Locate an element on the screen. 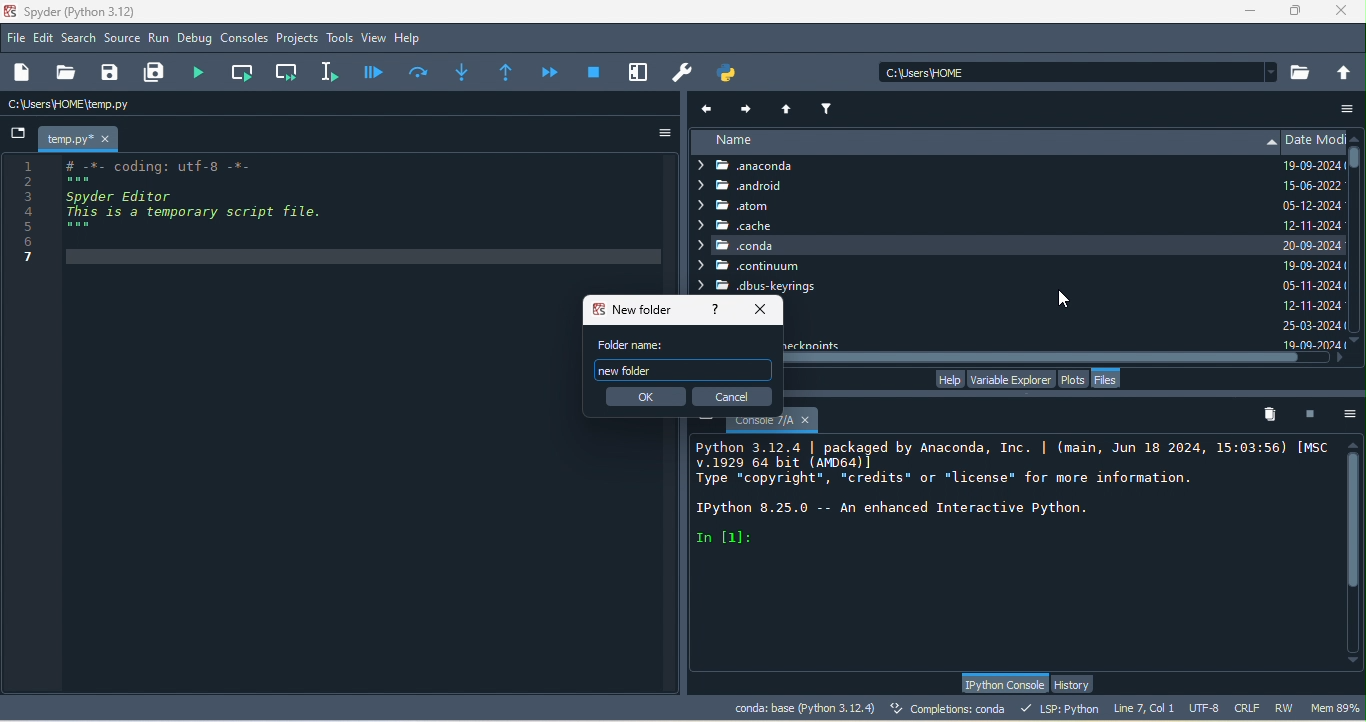 Image resolution: width=1366 pixels, height=722 pixels. lsp python is located at coordinates (1063, 708).